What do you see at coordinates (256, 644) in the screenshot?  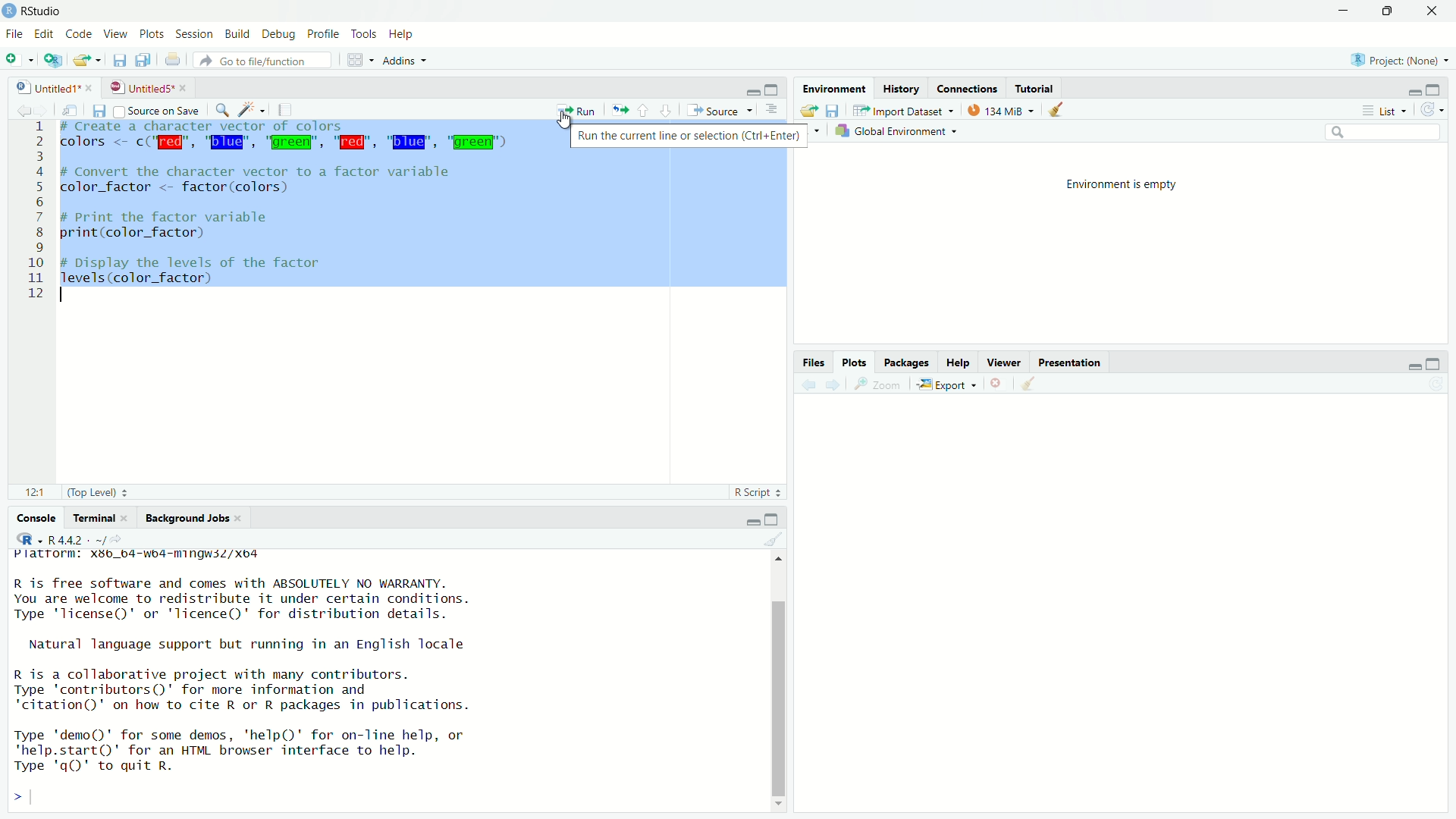 I see `Natural language support but running in an English locale` at bounding box center [256, 644].